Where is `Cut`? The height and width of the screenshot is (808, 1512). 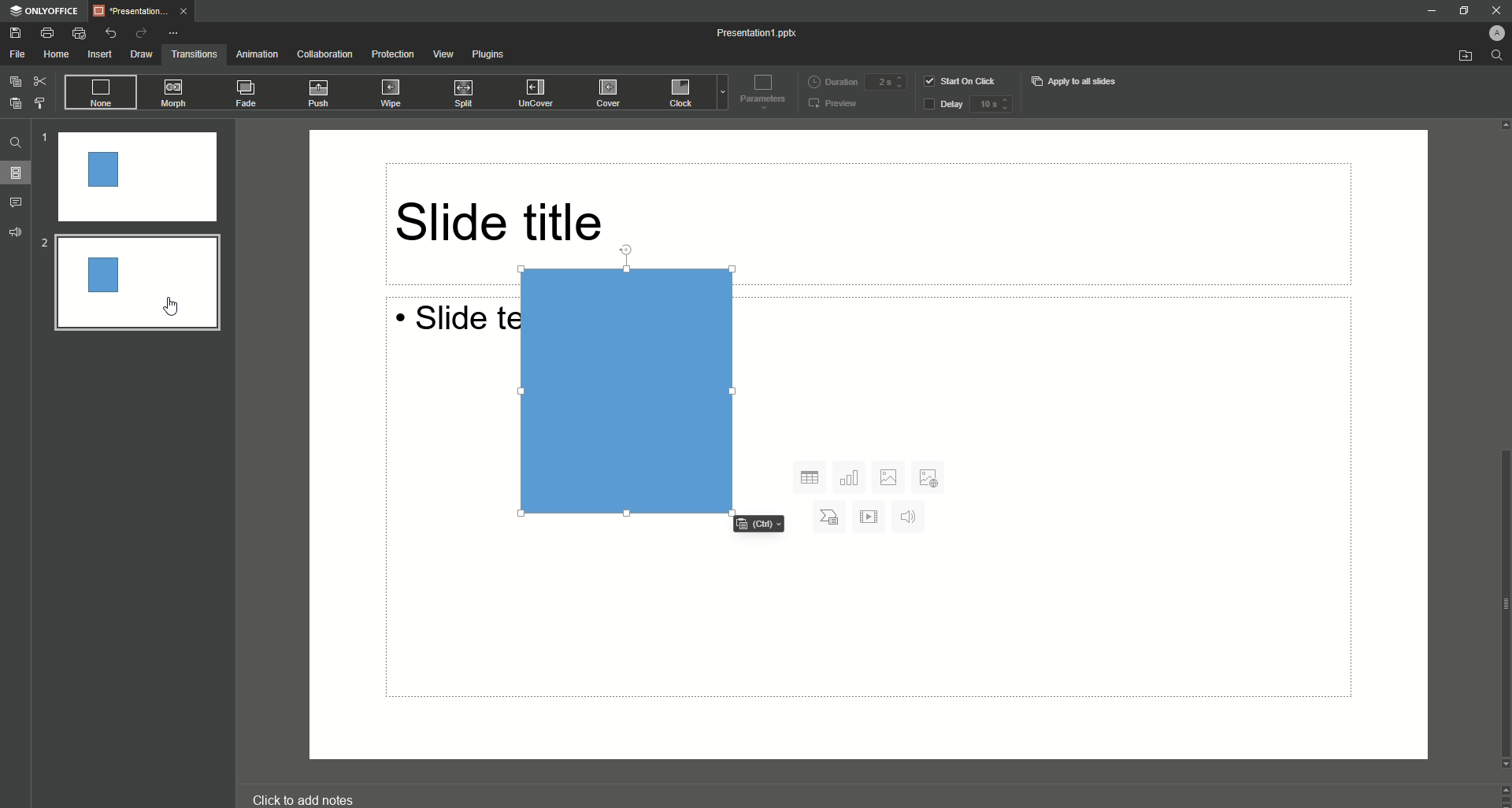 Cut is located at coordinates (43, 80).